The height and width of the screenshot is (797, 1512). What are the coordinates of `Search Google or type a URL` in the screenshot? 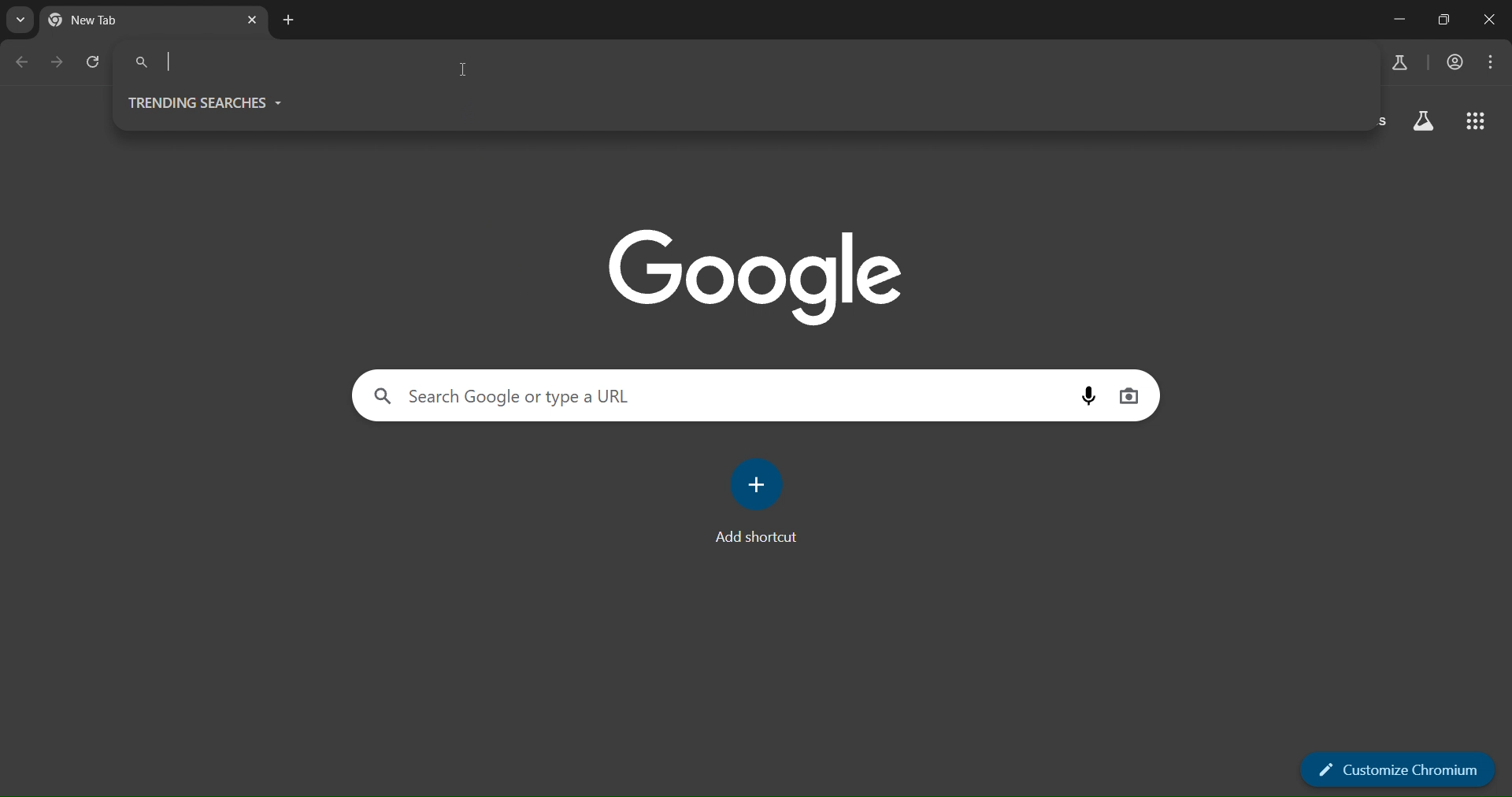 It's located at (742, 61).